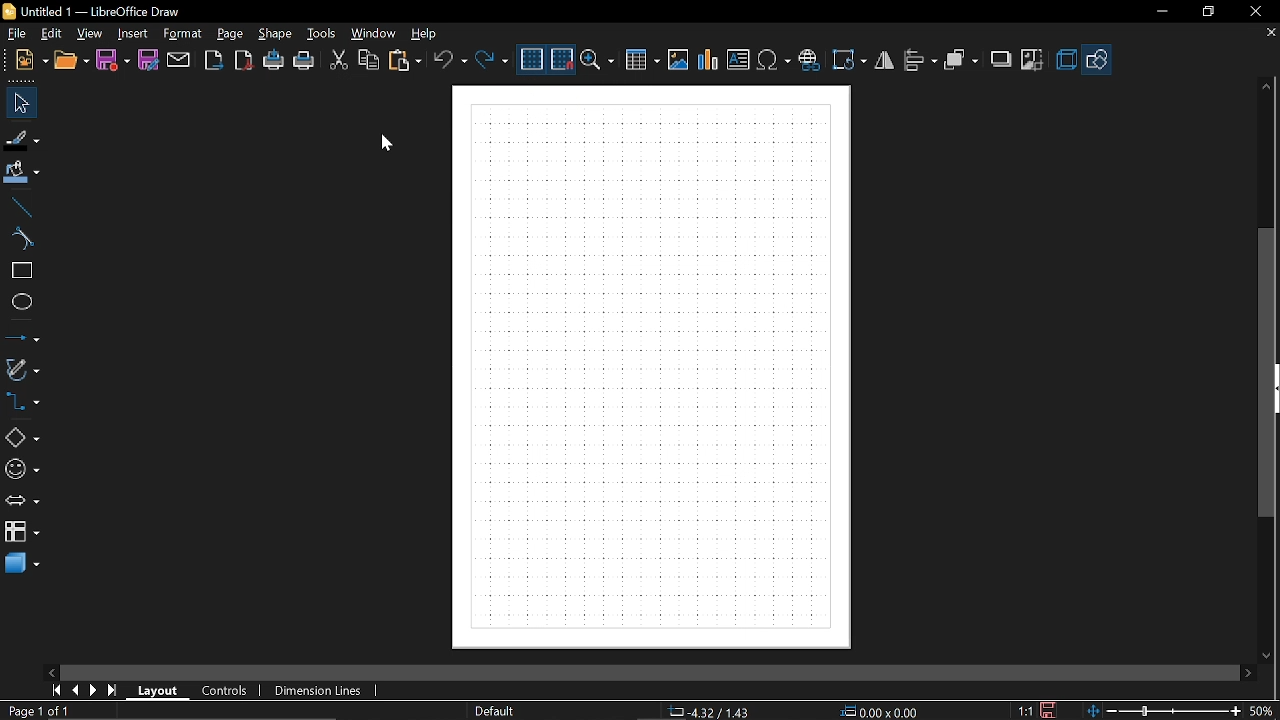  I want to click on export as pdf, so click(243, 60).